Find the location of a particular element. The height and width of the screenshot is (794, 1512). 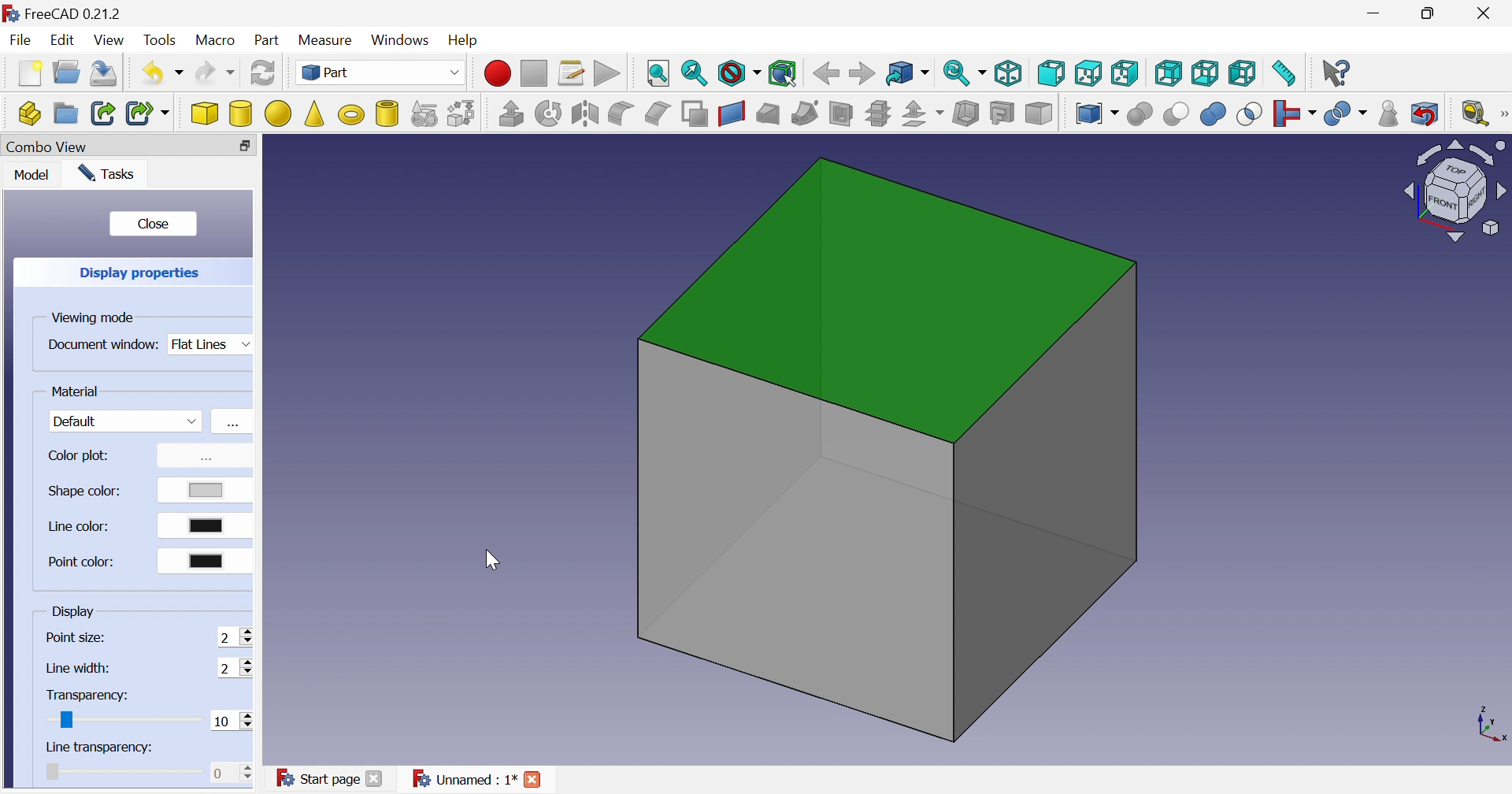

Material properties is located at coordinates (231, 425).